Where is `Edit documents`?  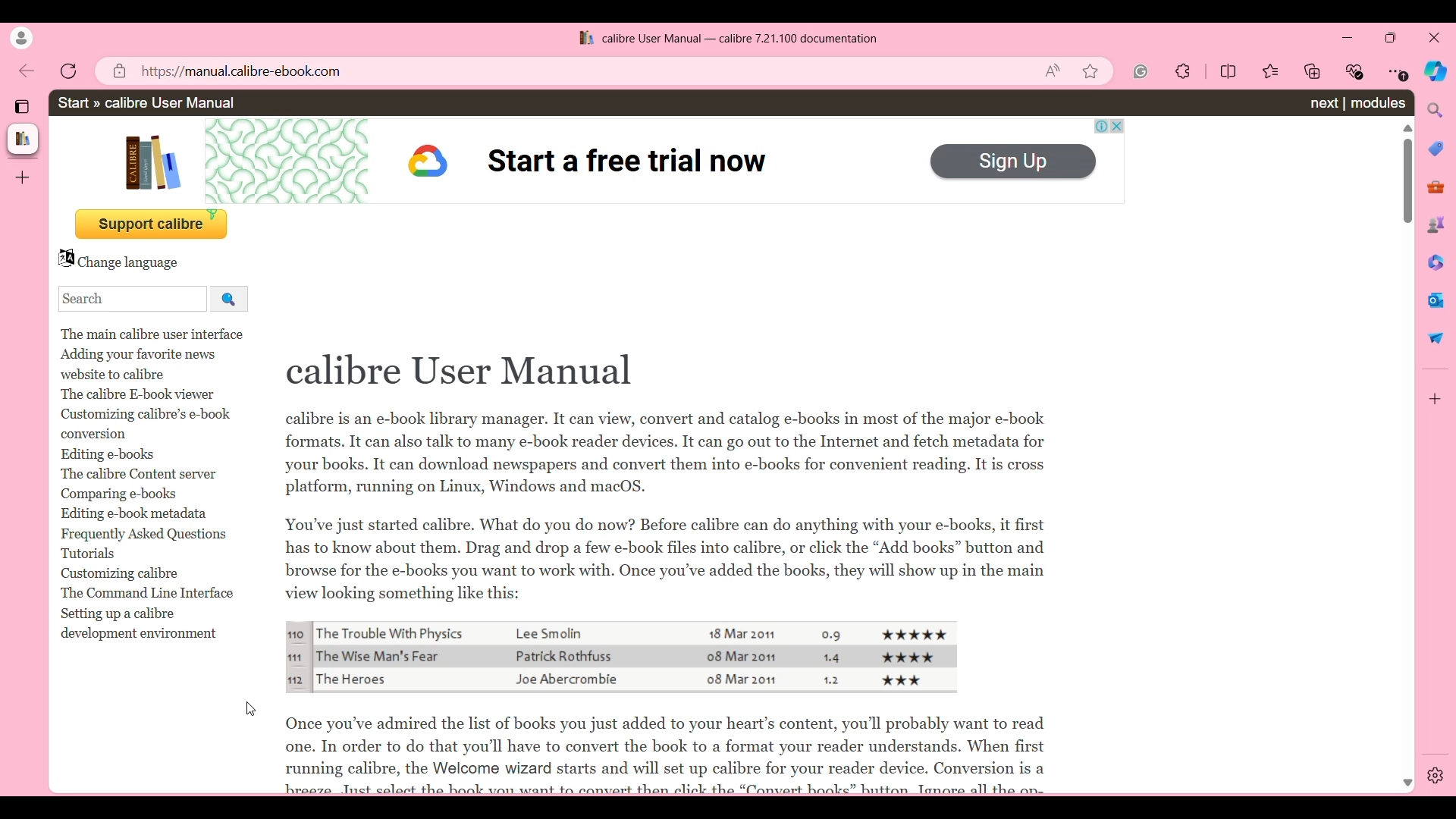 Edit documents is located at coordinates (1436, 262).